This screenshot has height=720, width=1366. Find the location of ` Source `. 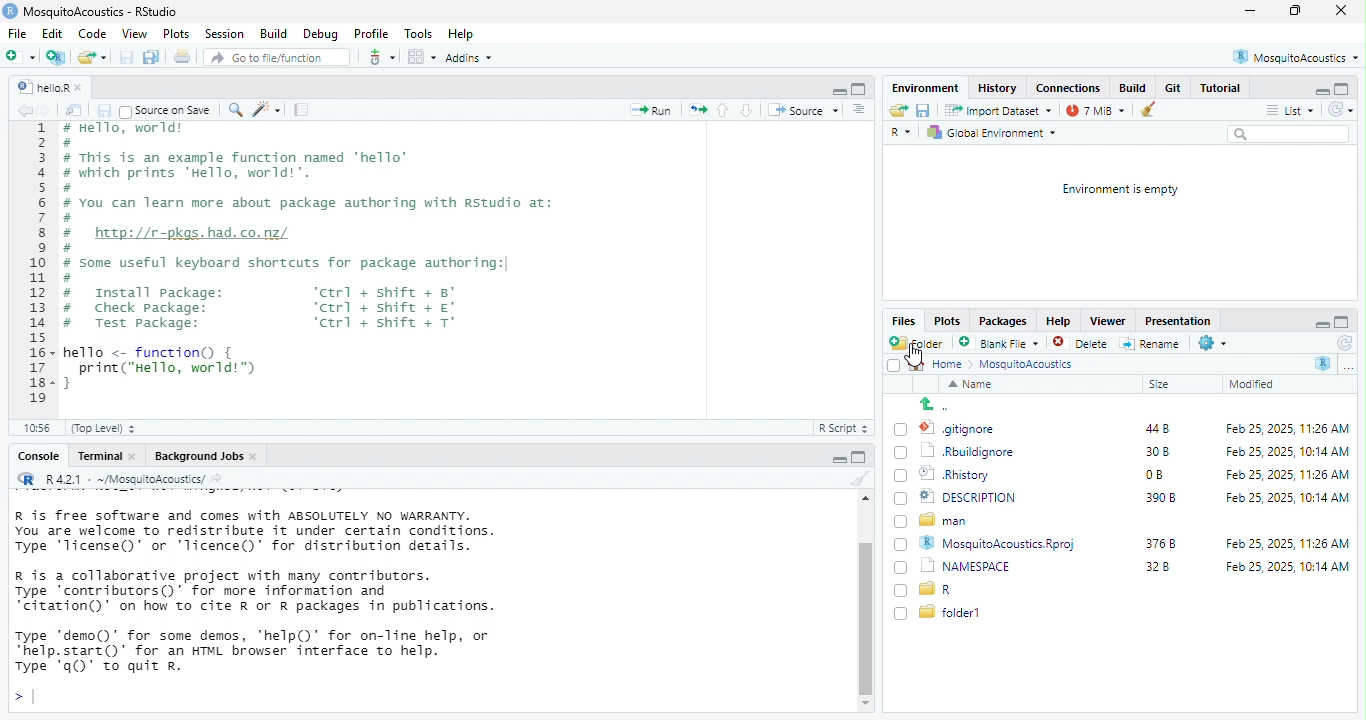

 Source  is located at coordinates (803, 112).